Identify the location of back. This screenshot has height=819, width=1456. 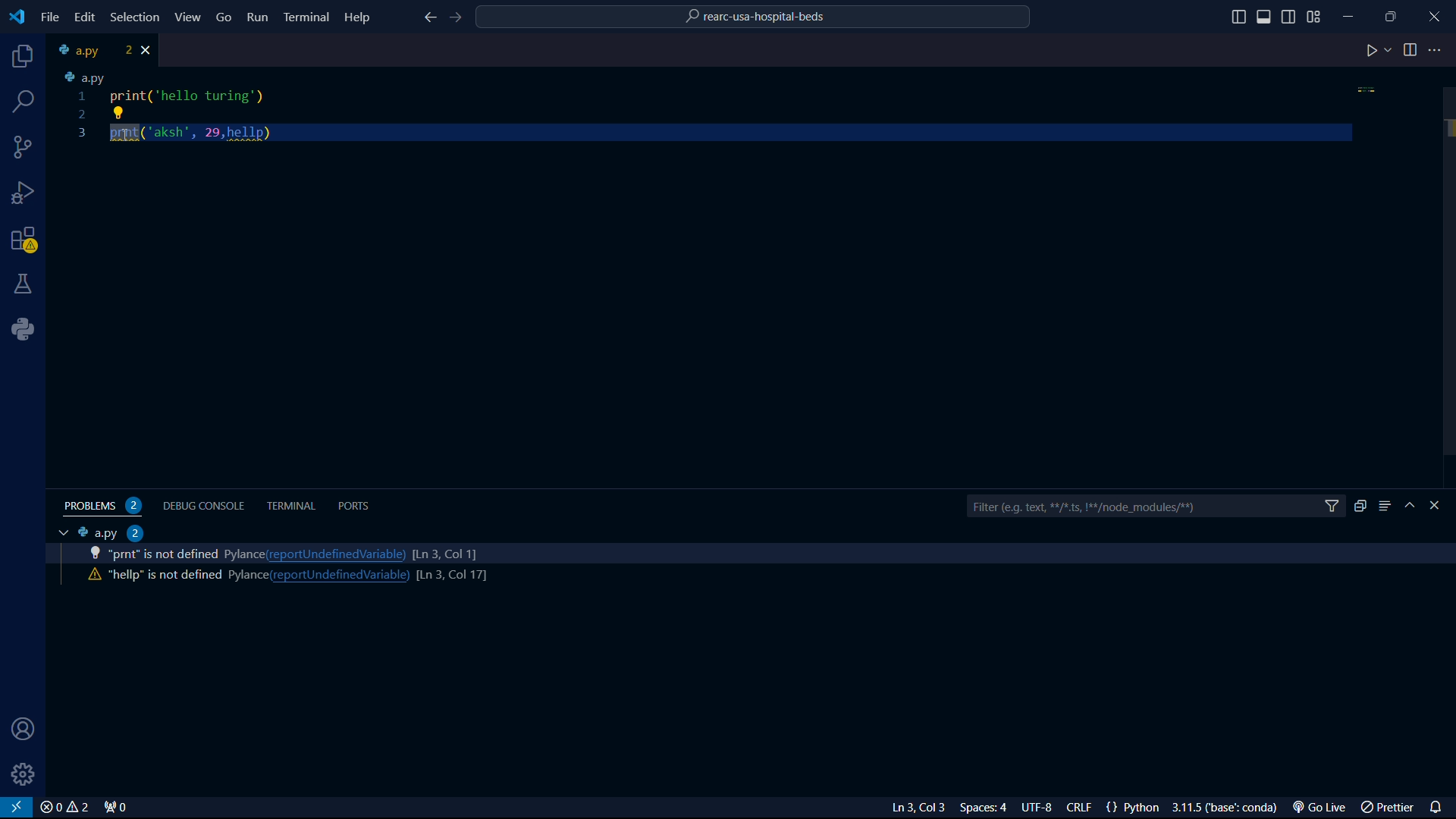
(428, 19).